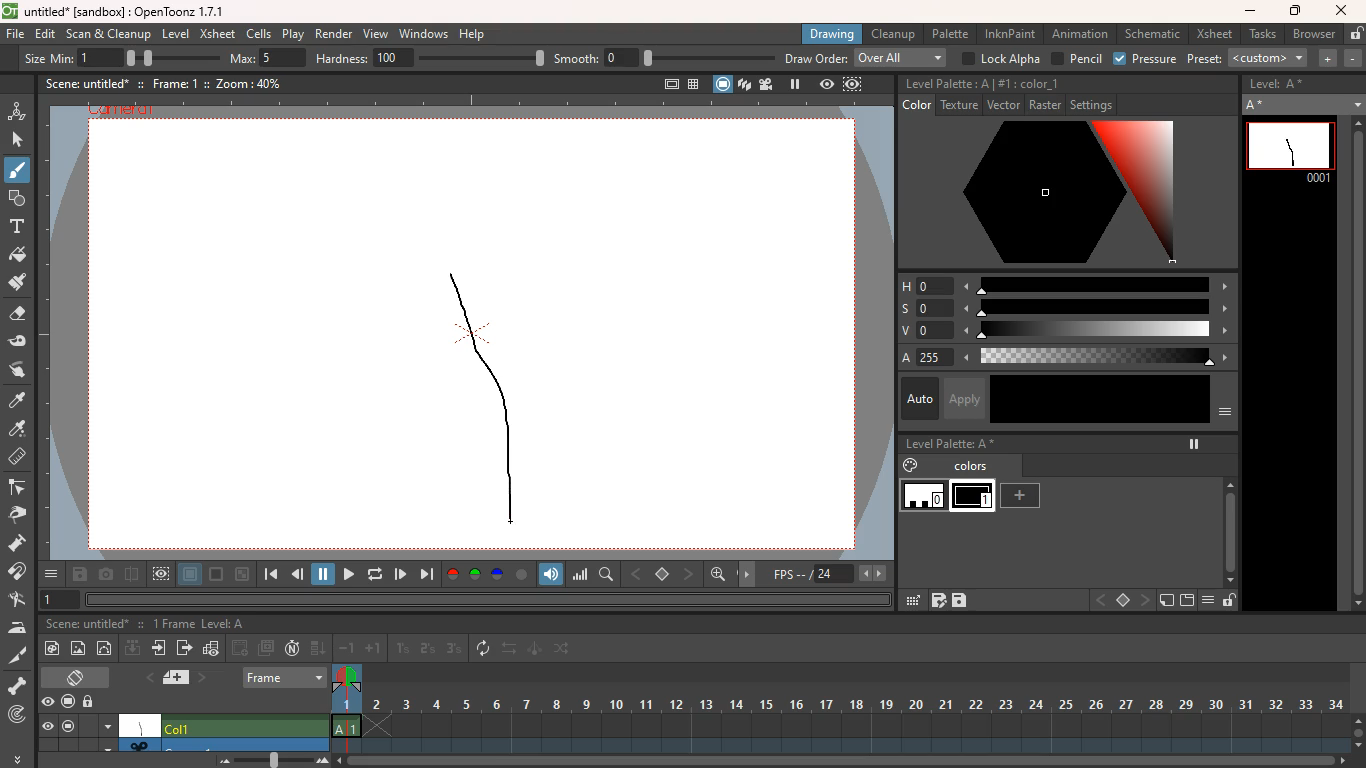 The height and width of the screenshot is (768, 1366). I want to click on fps, so click(827, 574).